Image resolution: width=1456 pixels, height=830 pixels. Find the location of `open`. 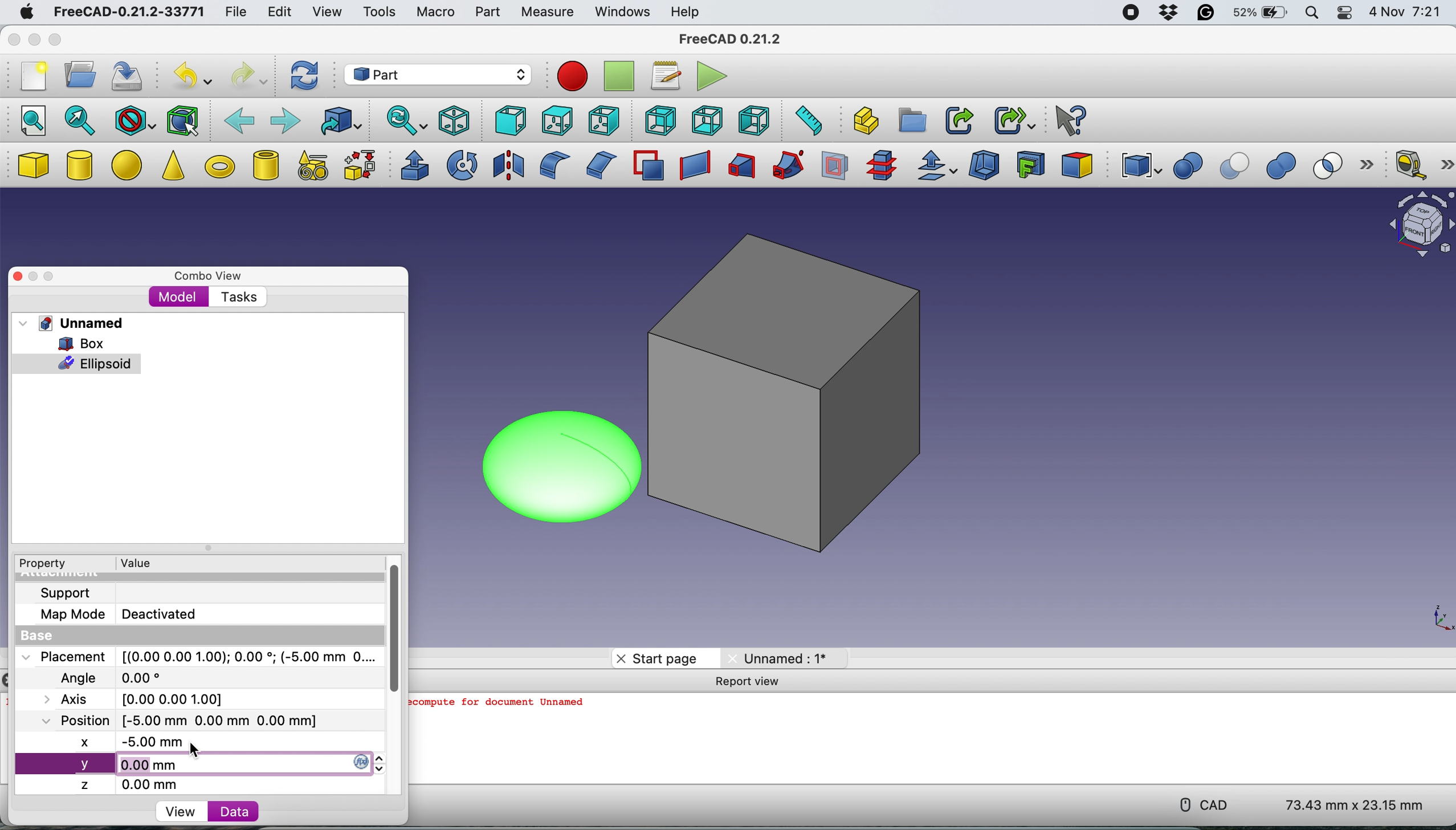

open is located at coordinates (76, 75).